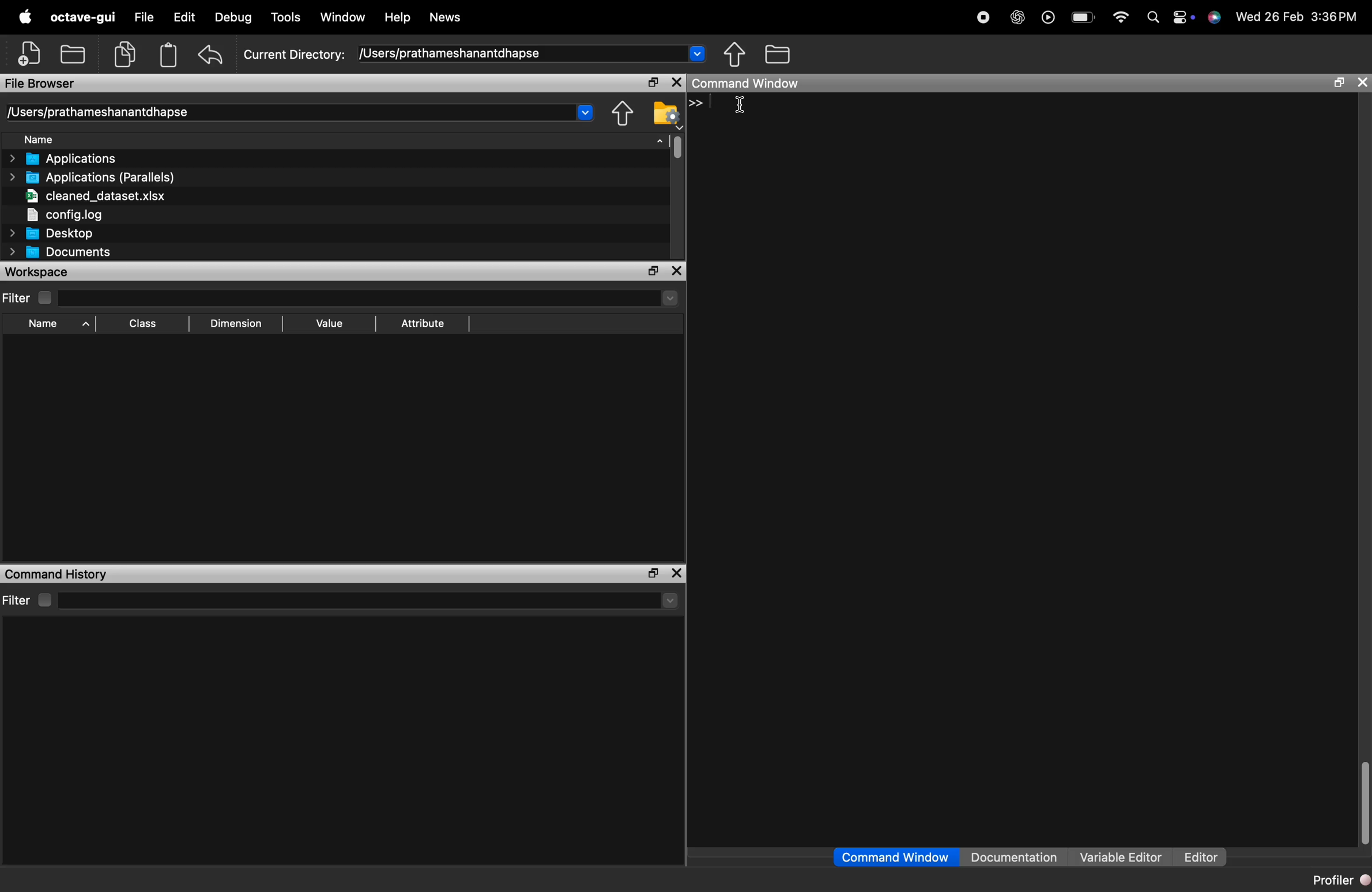  I want to click on 26 Feb, so click(1283, 17).